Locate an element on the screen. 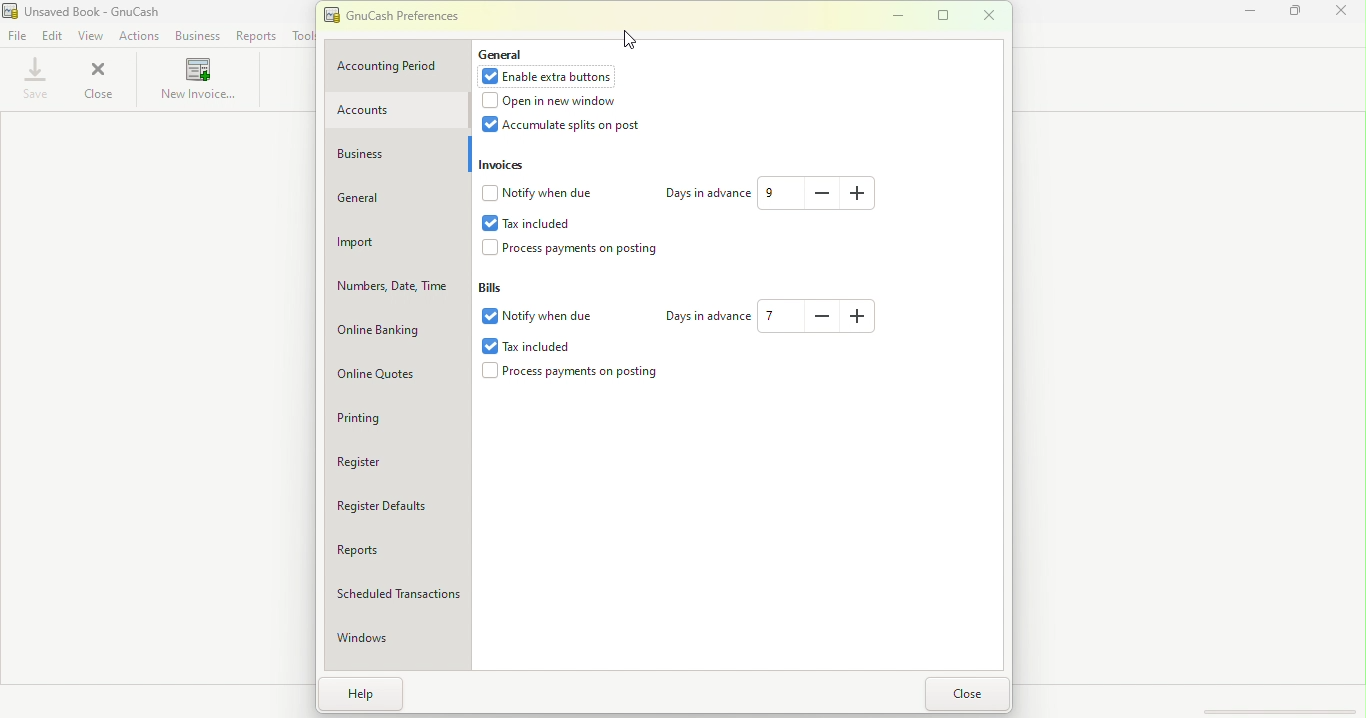 This screenshot has width=1366, height=718. Tax included is located at coordinates (531, 223).